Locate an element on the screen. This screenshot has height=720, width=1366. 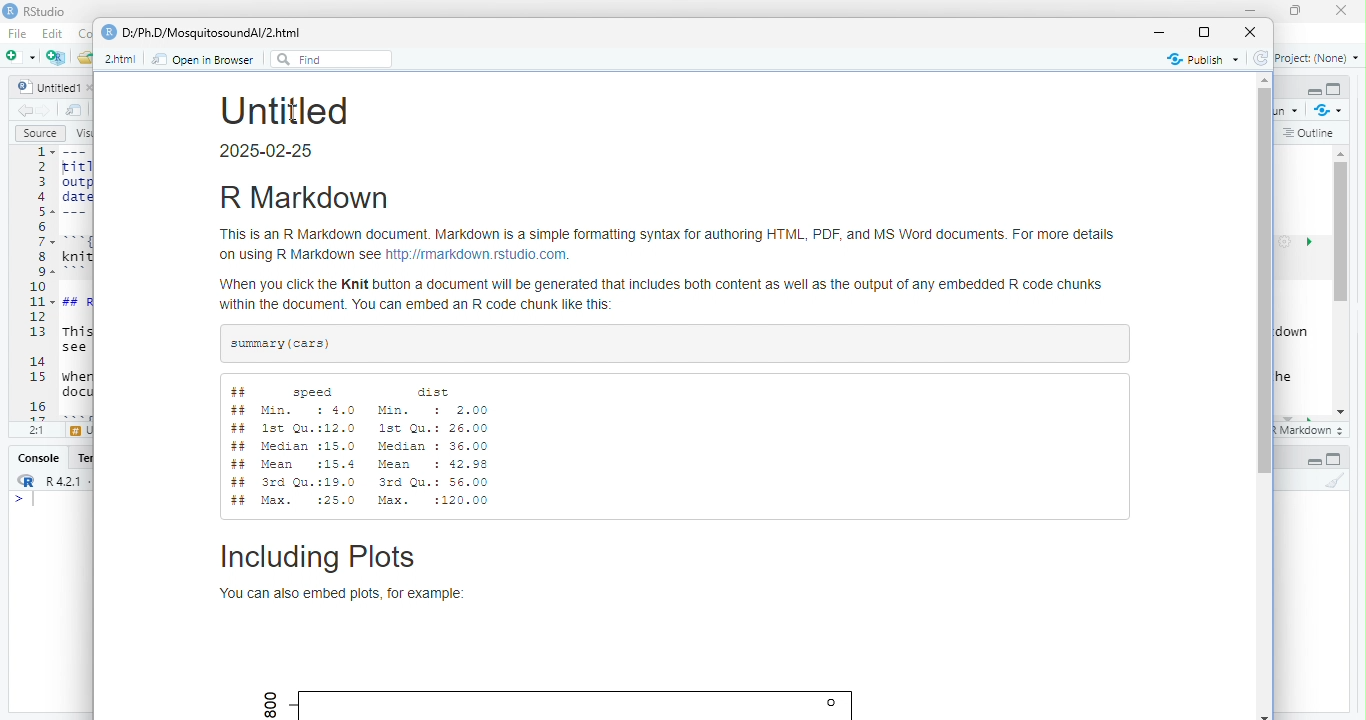
Untitled is located at coordinates (285, 109).